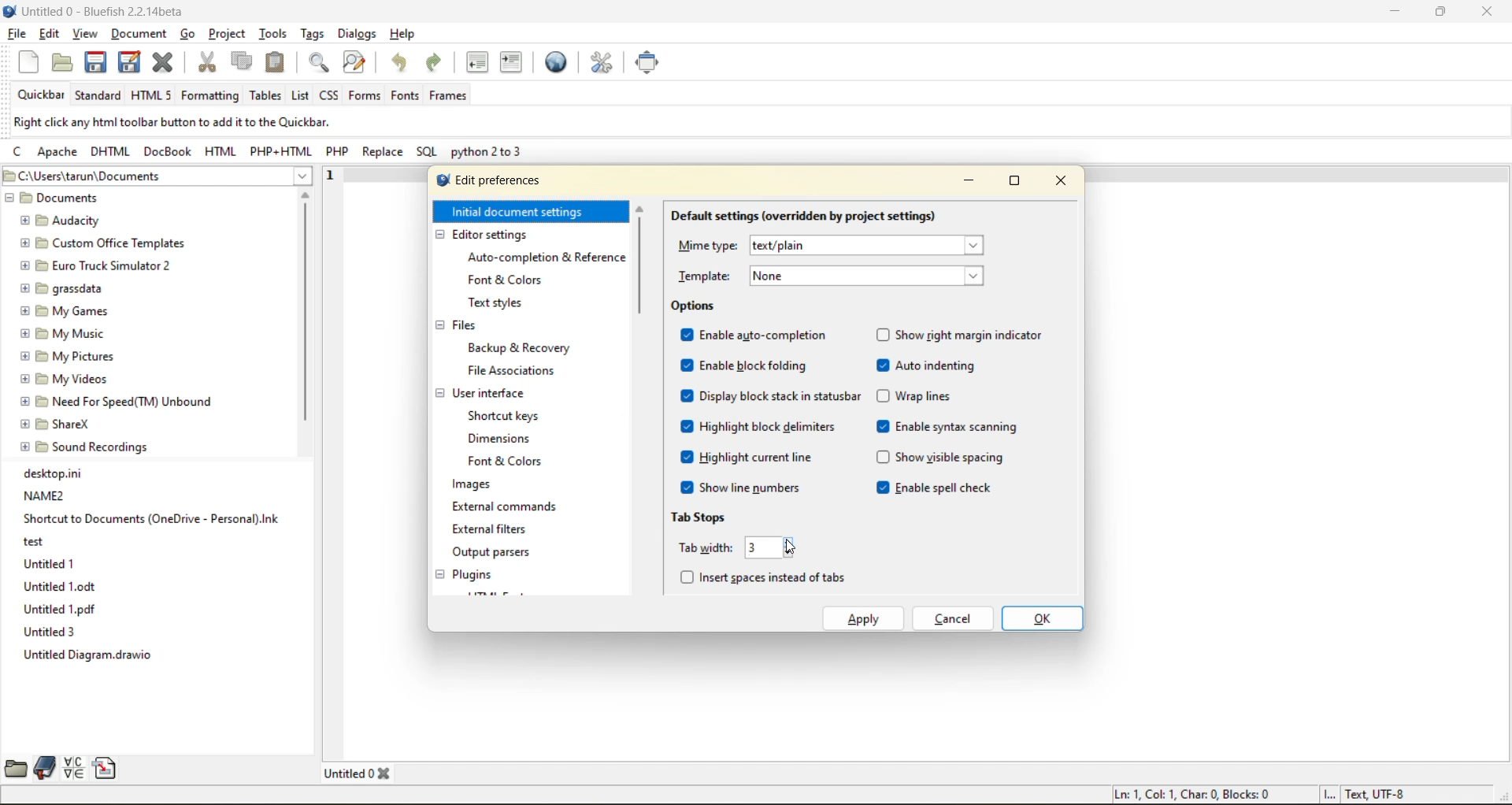 The image size is (1512, 805). What do you see at coordinates (105, 767) in the screenshot?
I see `snippets` at bounding box center [105, 767].